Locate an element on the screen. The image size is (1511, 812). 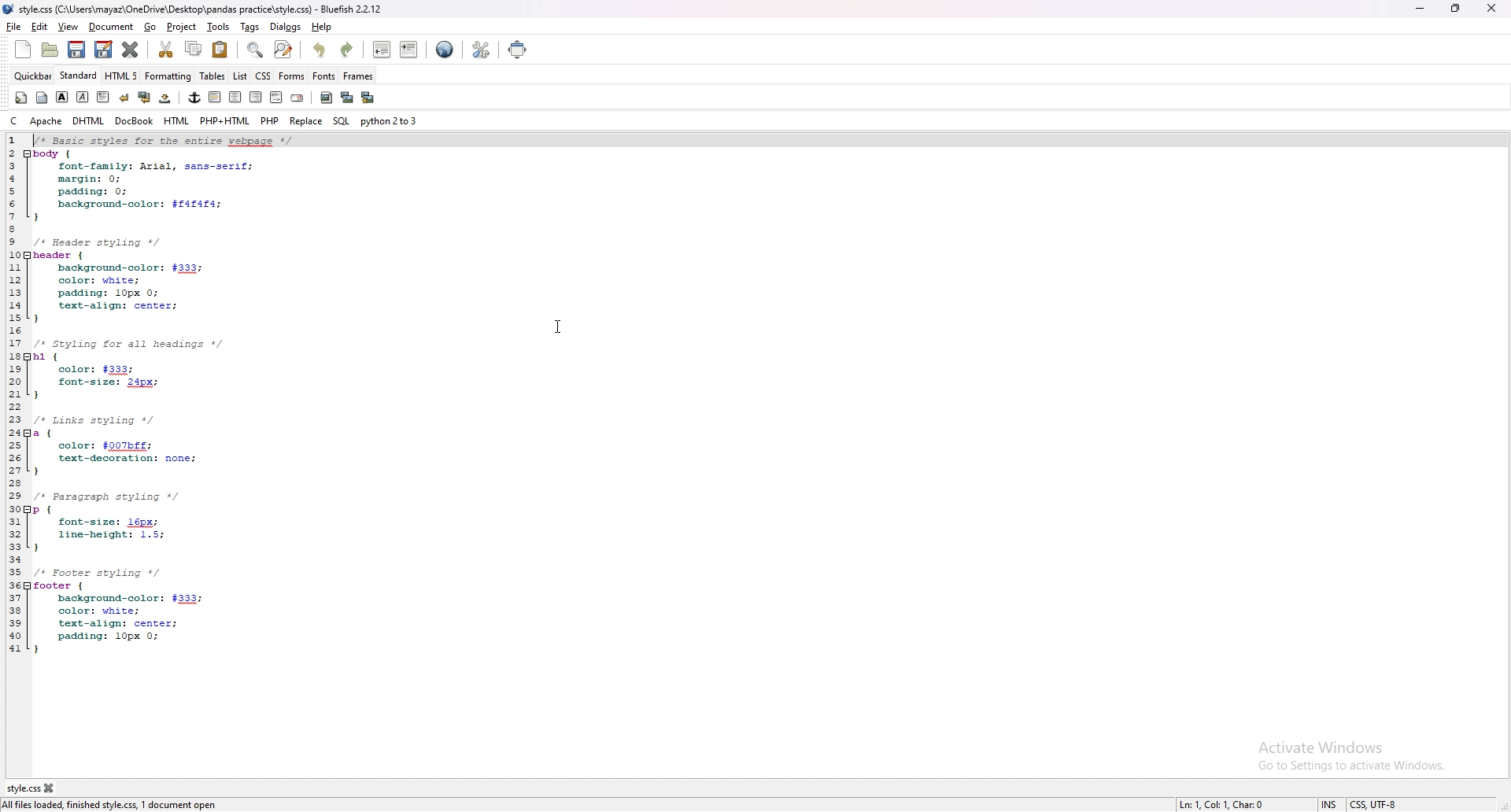
style.css (C:\Users\mayaz\OneDrive\Desktop\pandas practice\style.css) - Bluefish 2.2.12 is located at coordinates (205, 10).